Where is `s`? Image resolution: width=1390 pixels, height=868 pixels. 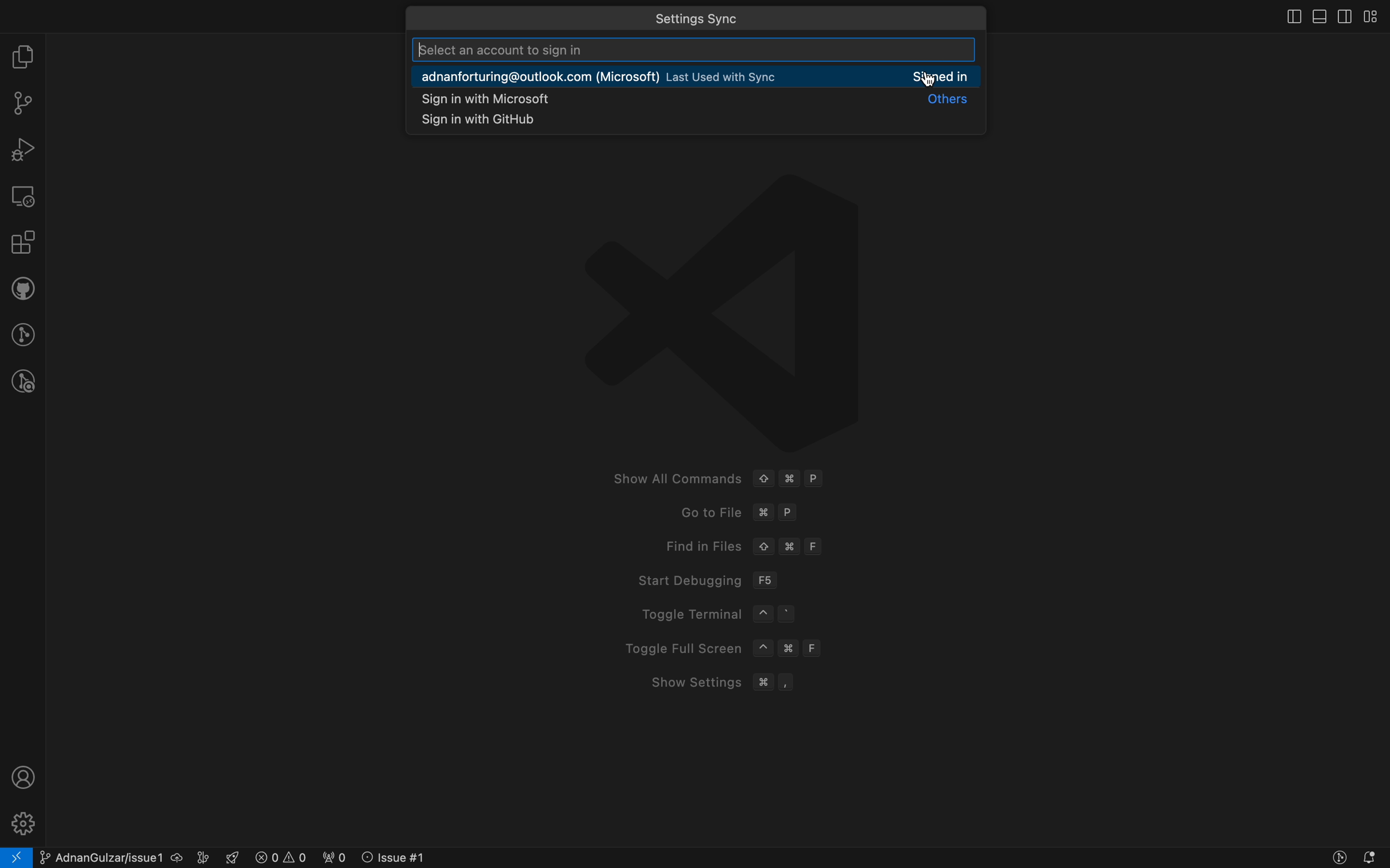
s is located at coordinates (706, 98).